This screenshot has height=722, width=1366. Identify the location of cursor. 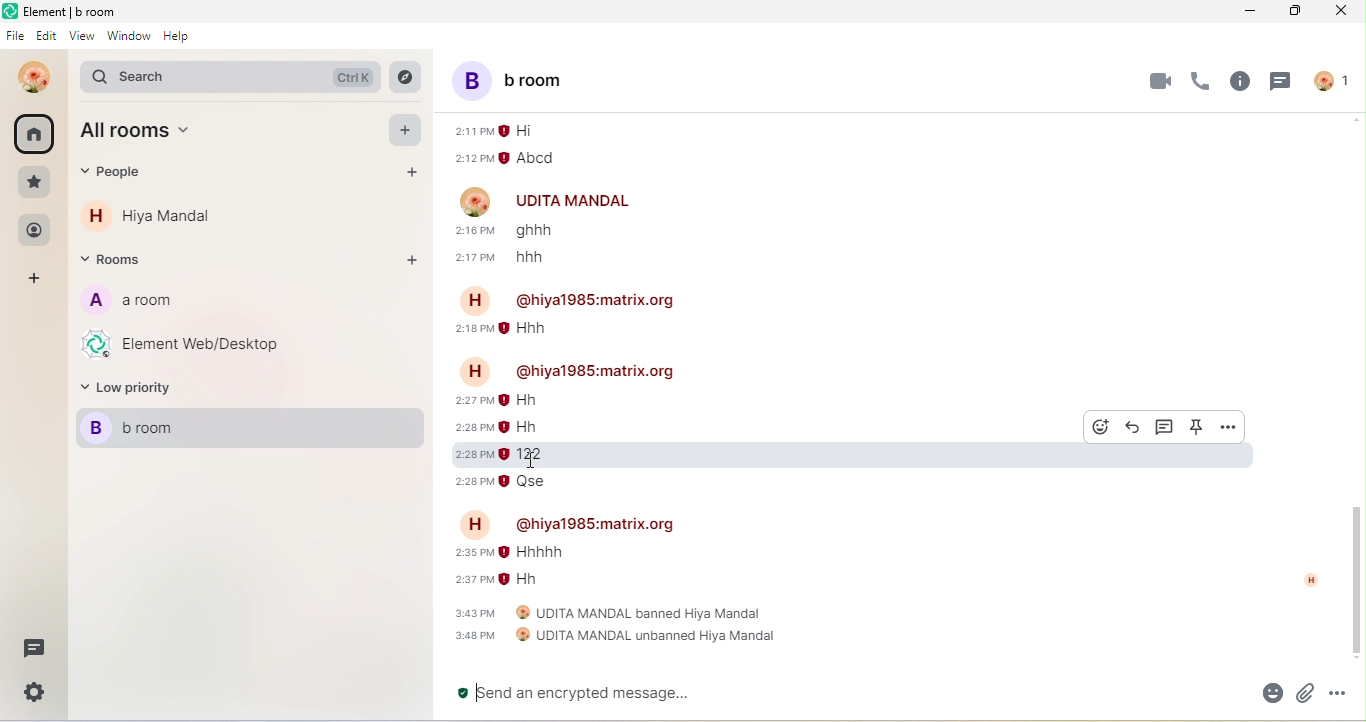
(538, 460).